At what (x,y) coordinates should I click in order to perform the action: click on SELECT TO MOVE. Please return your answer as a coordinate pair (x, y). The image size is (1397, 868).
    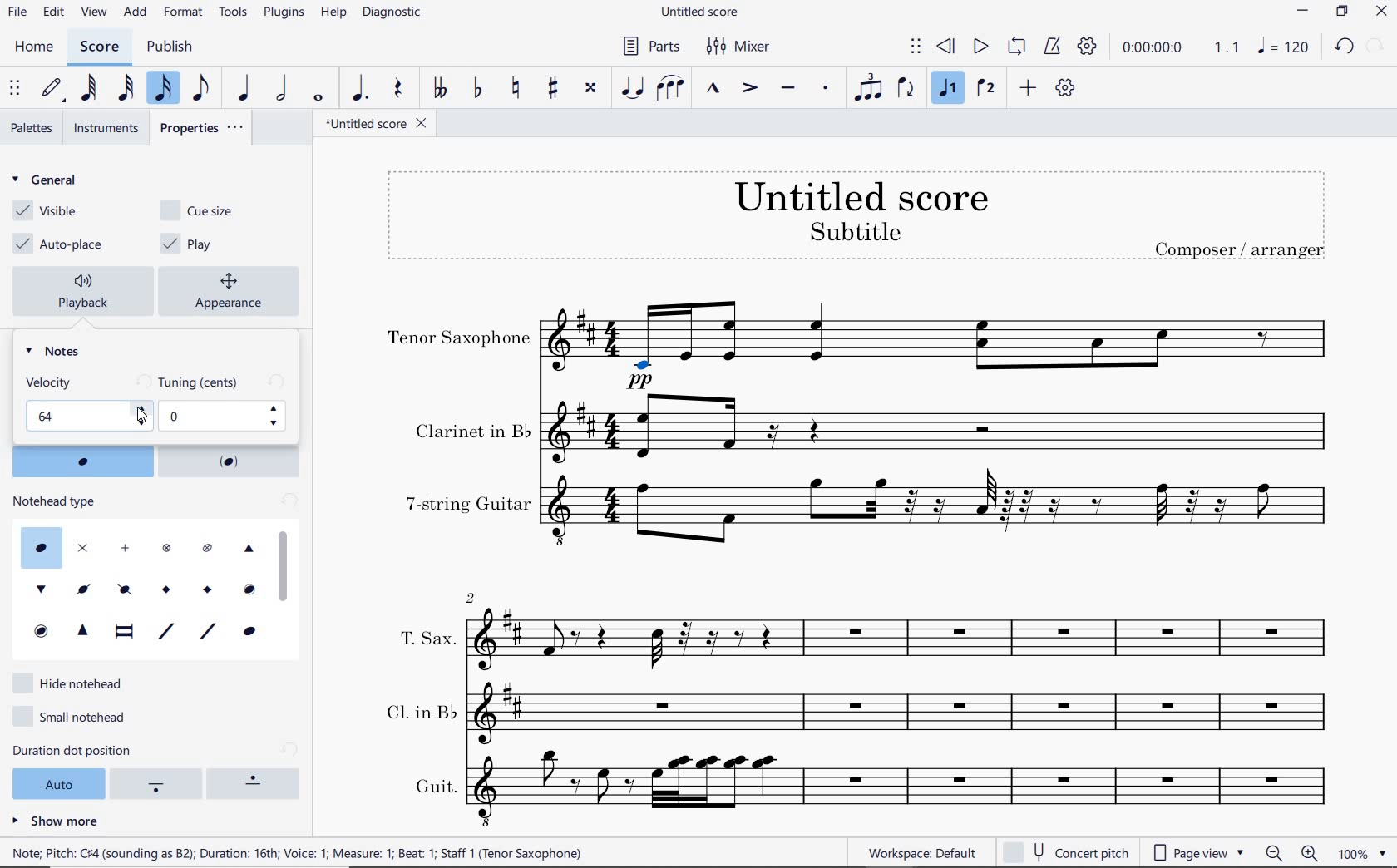
    Looking at the image, I should click on (919, 47).